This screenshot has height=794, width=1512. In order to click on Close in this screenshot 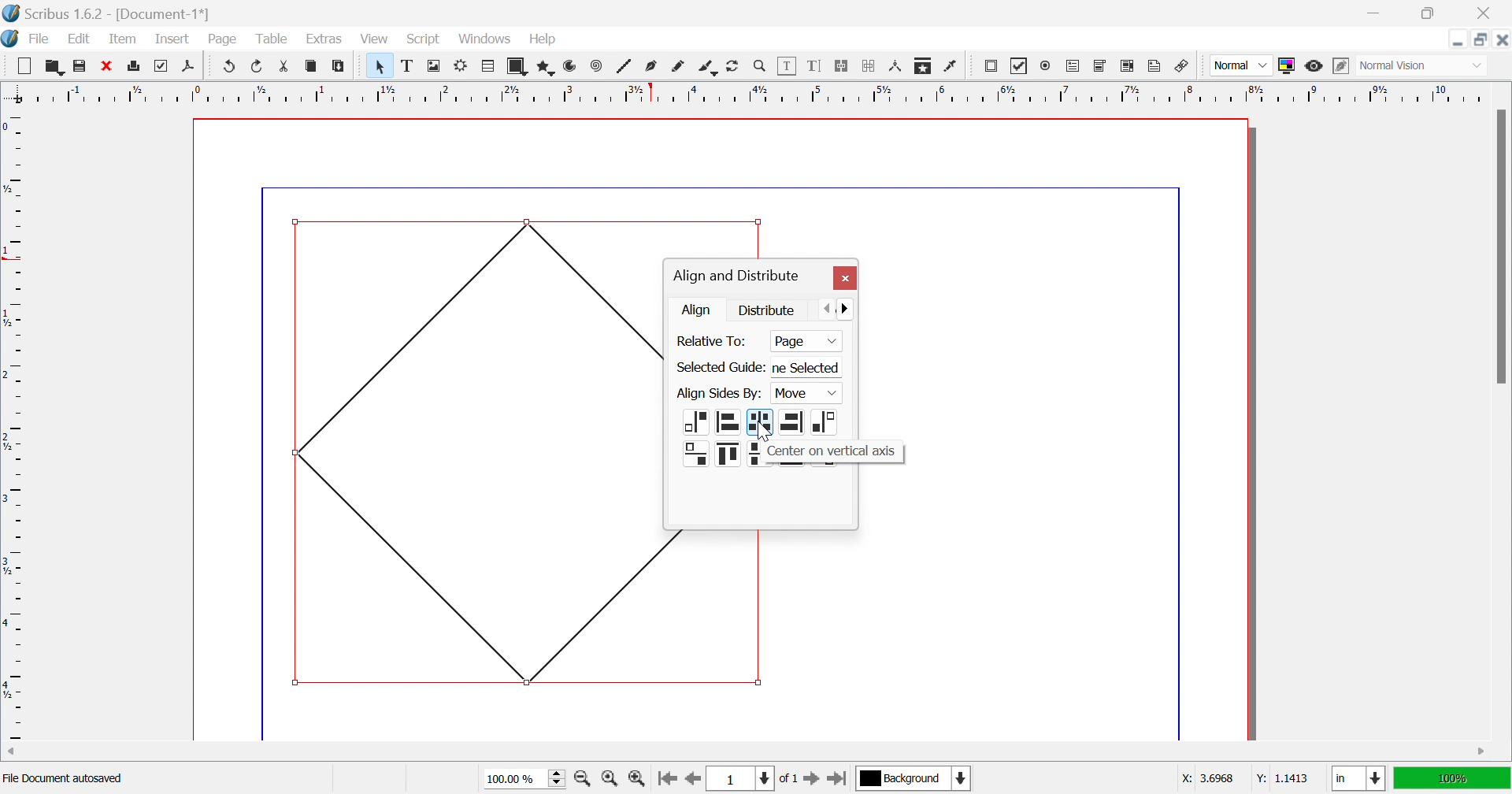, I will do `click(1502, 39)`.